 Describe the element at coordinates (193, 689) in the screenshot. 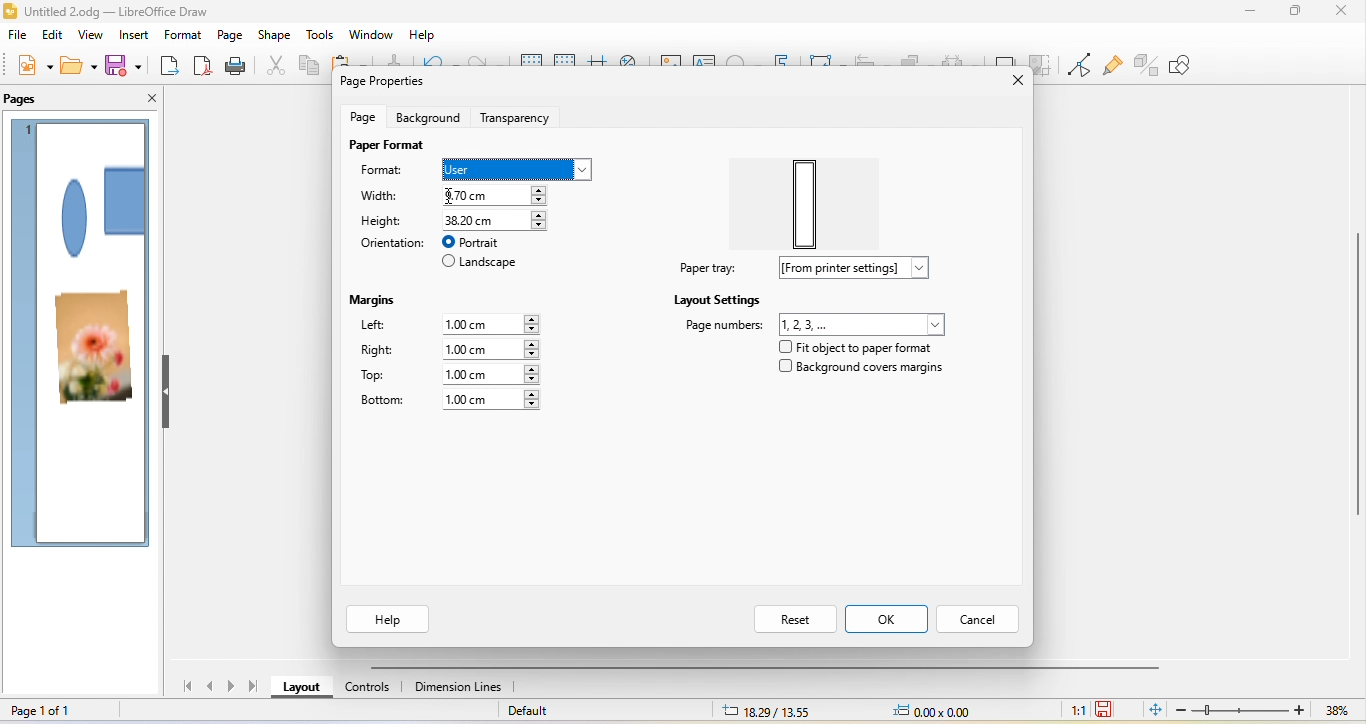

I see ` first page` at that location.